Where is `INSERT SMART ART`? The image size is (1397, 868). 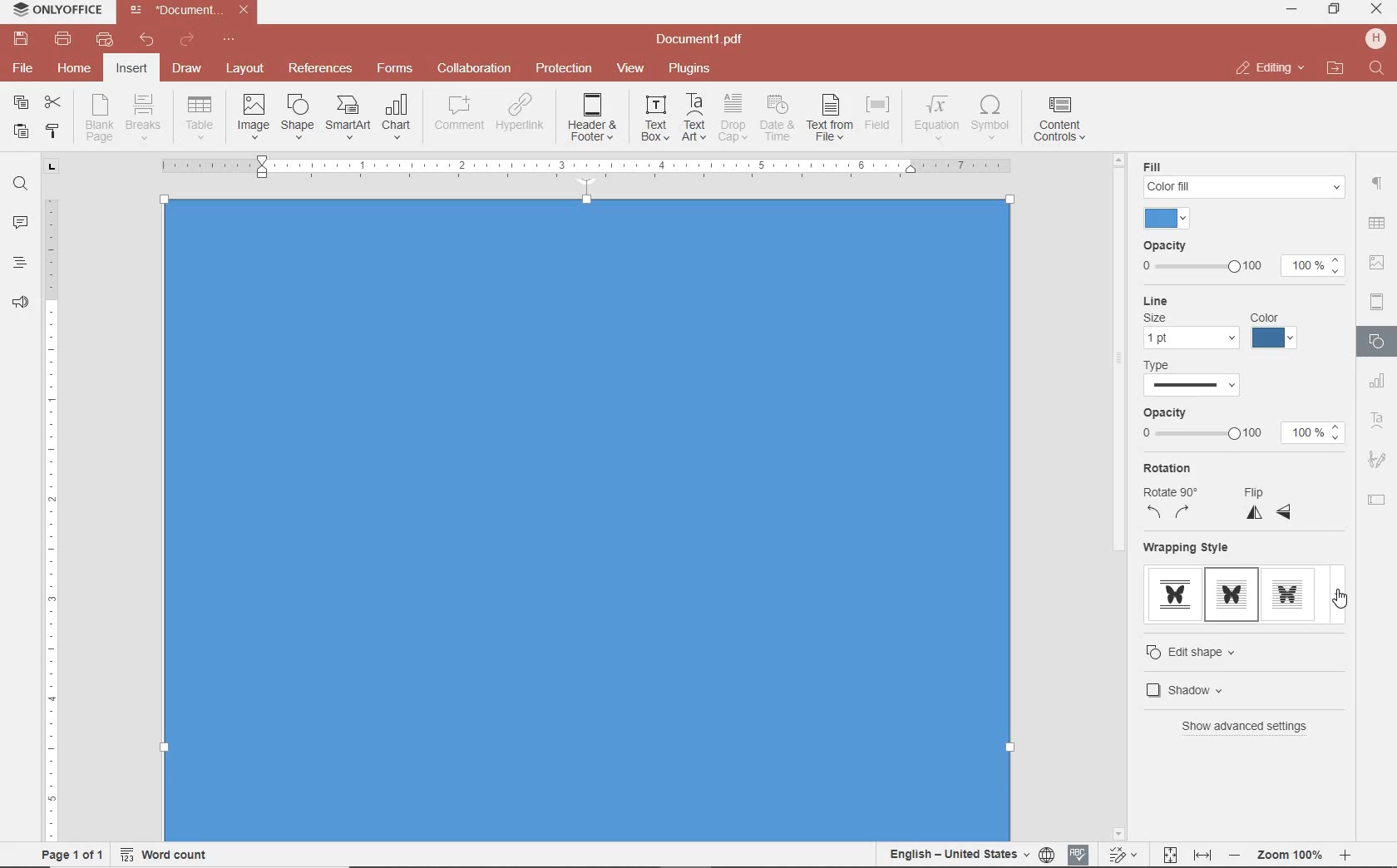
INSERT SMART ART is located at coordinates (348, 116).